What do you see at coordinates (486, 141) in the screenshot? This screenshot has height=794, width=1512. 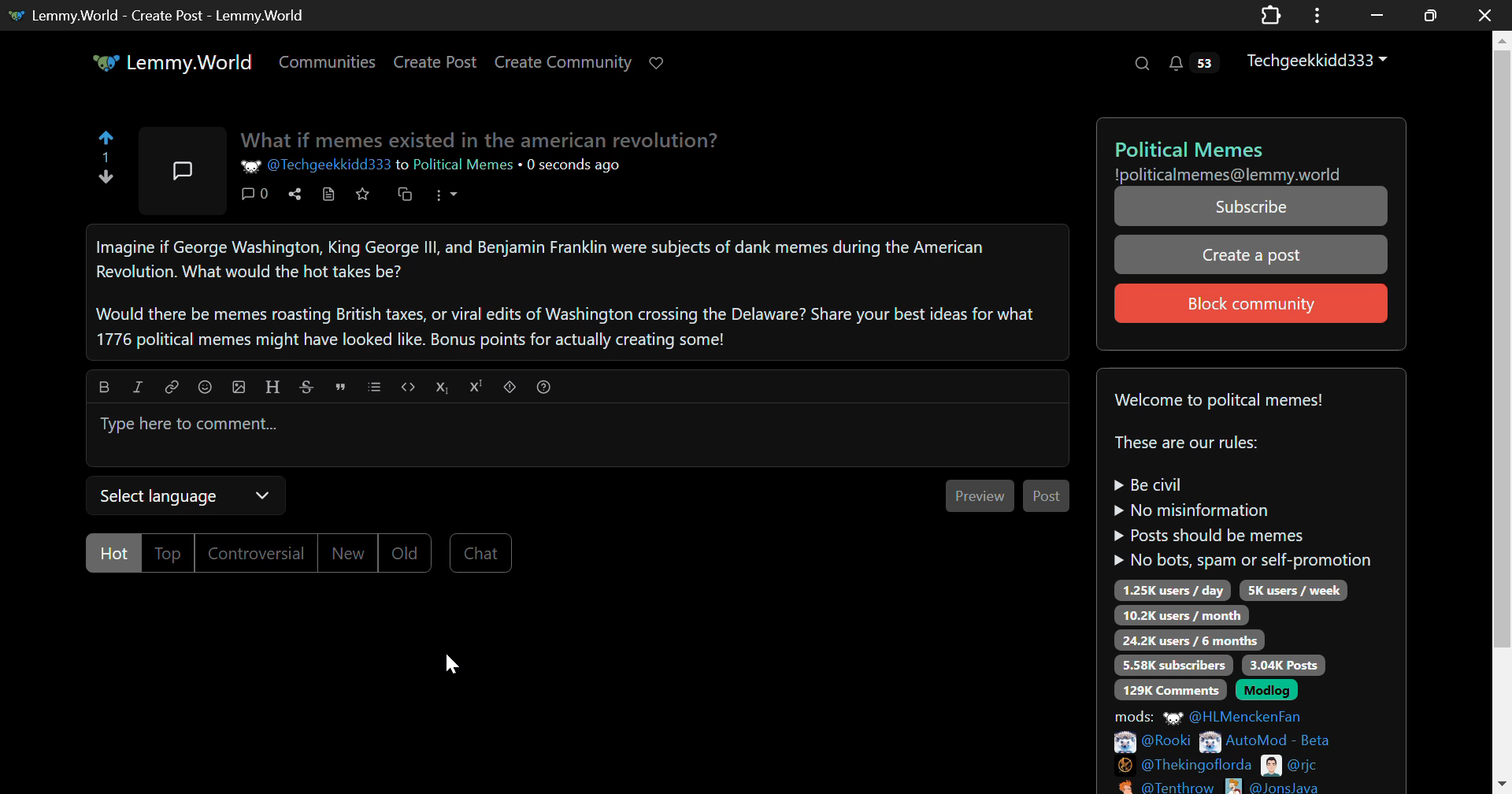 I see `What if memes existed in the american revolution?` at bounding box center [486, 141].